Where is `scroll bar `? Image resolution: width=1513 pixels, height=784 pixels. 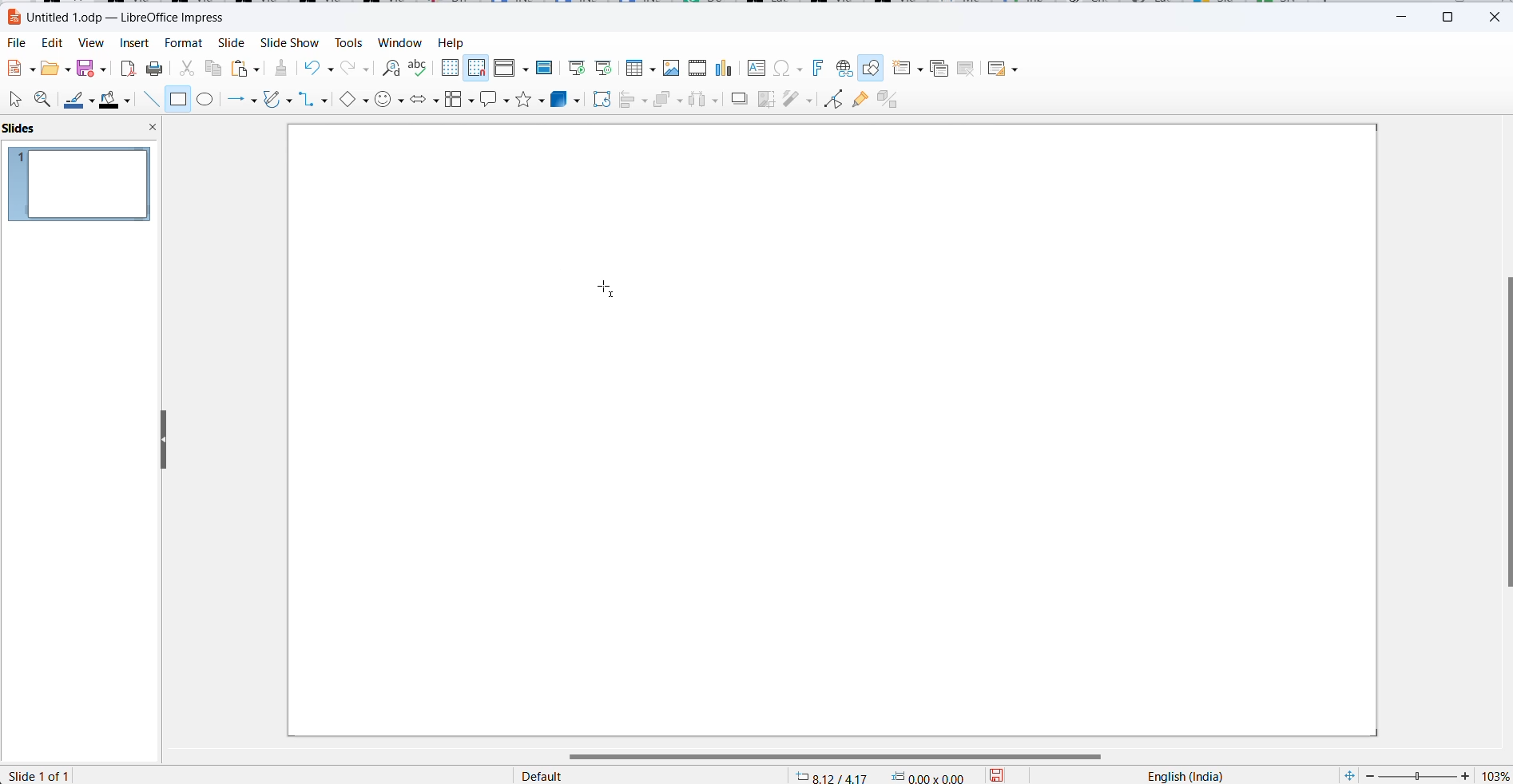 scroll bar  is located at coordinates (845, 756).